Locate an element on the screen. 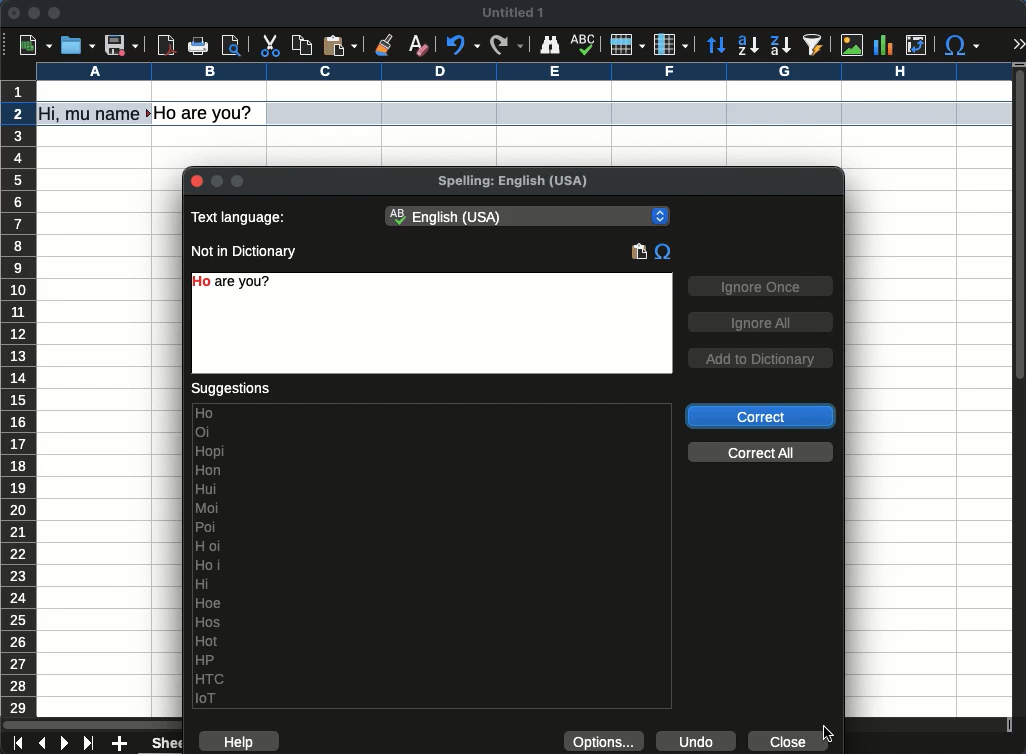  redo is located at coordinates (507, 46).